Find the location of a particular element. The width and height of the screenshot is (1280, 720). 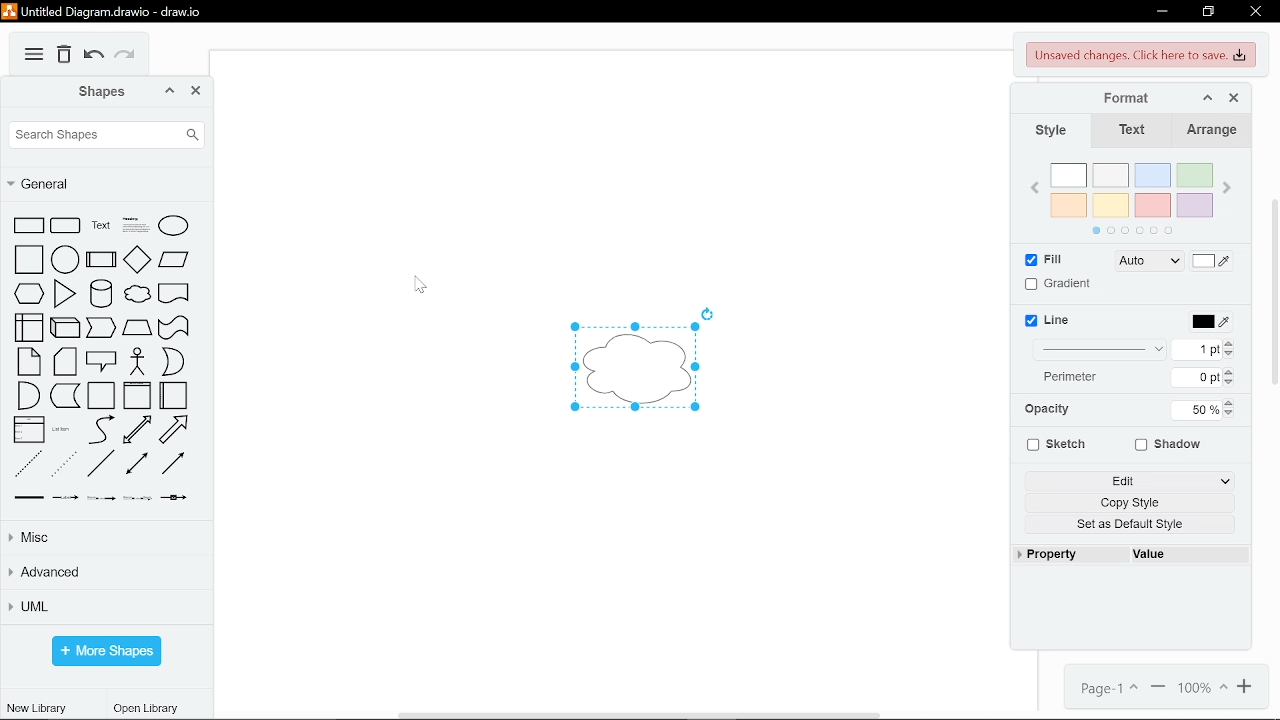

rectangle is located at coordinates (30, 227).